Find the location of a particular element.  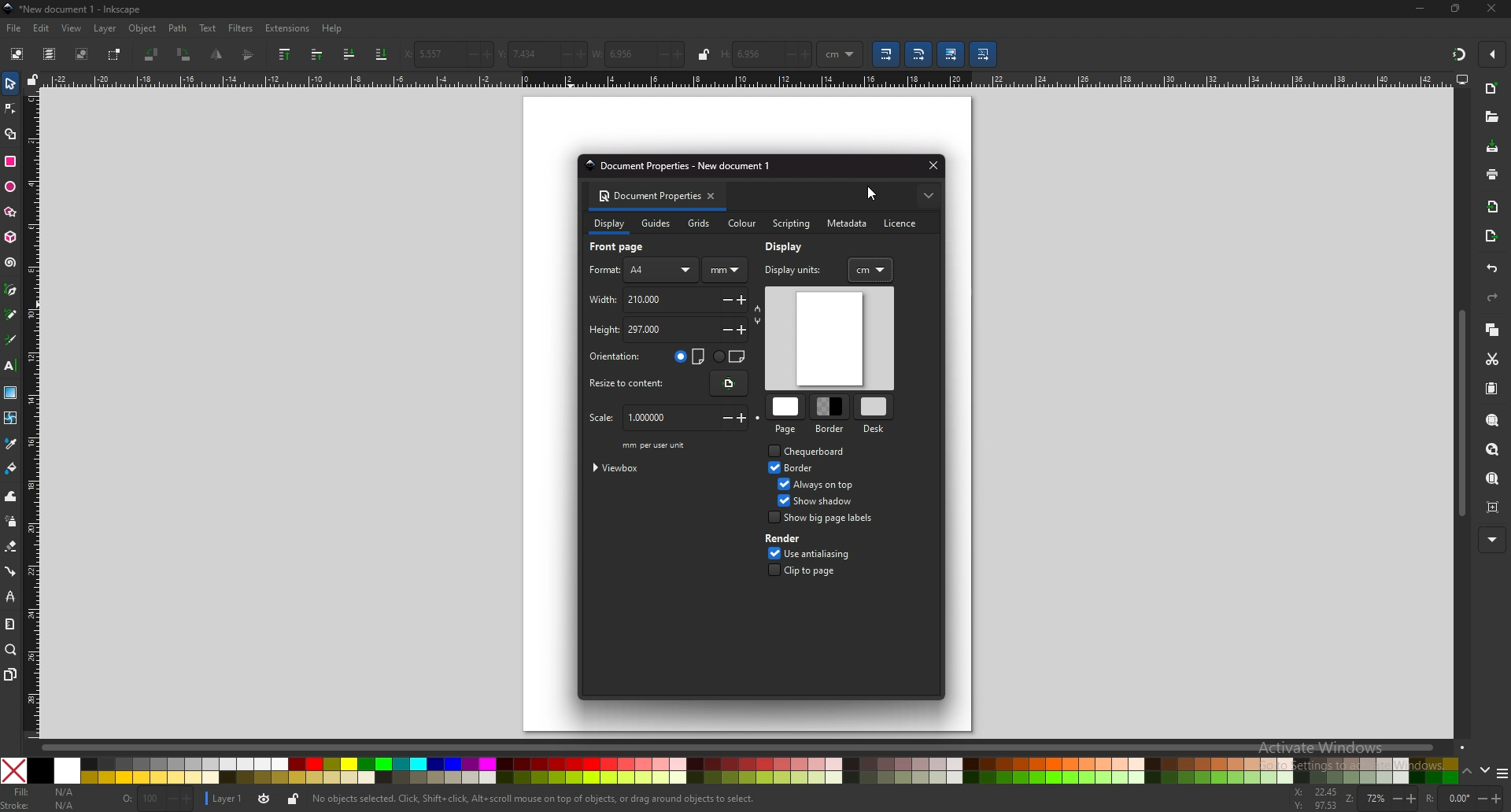

print is located at coordinates (1492, 174).